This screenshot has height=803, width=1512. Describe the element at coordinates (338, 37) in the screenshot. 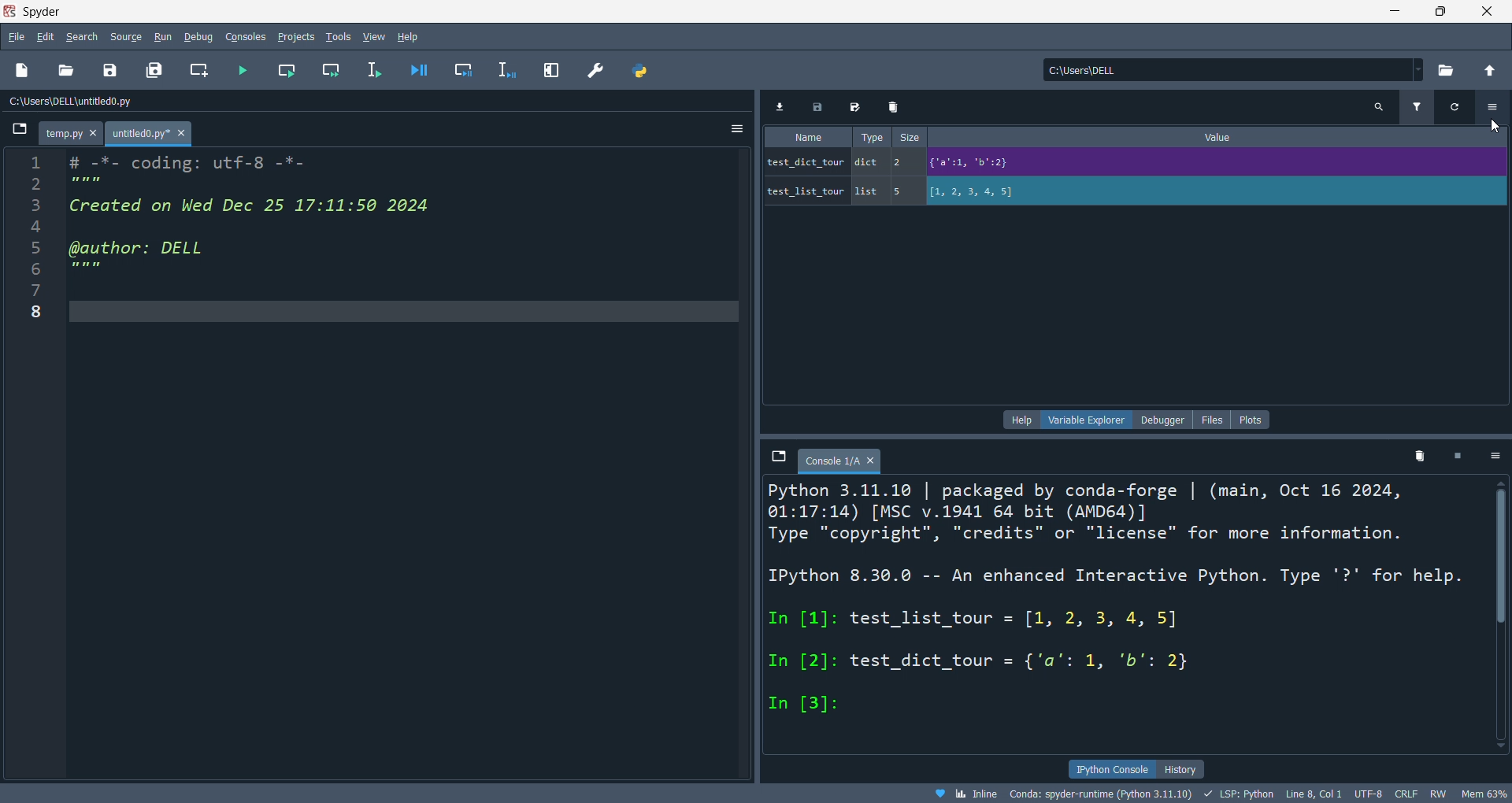

I see `tools` at that location.